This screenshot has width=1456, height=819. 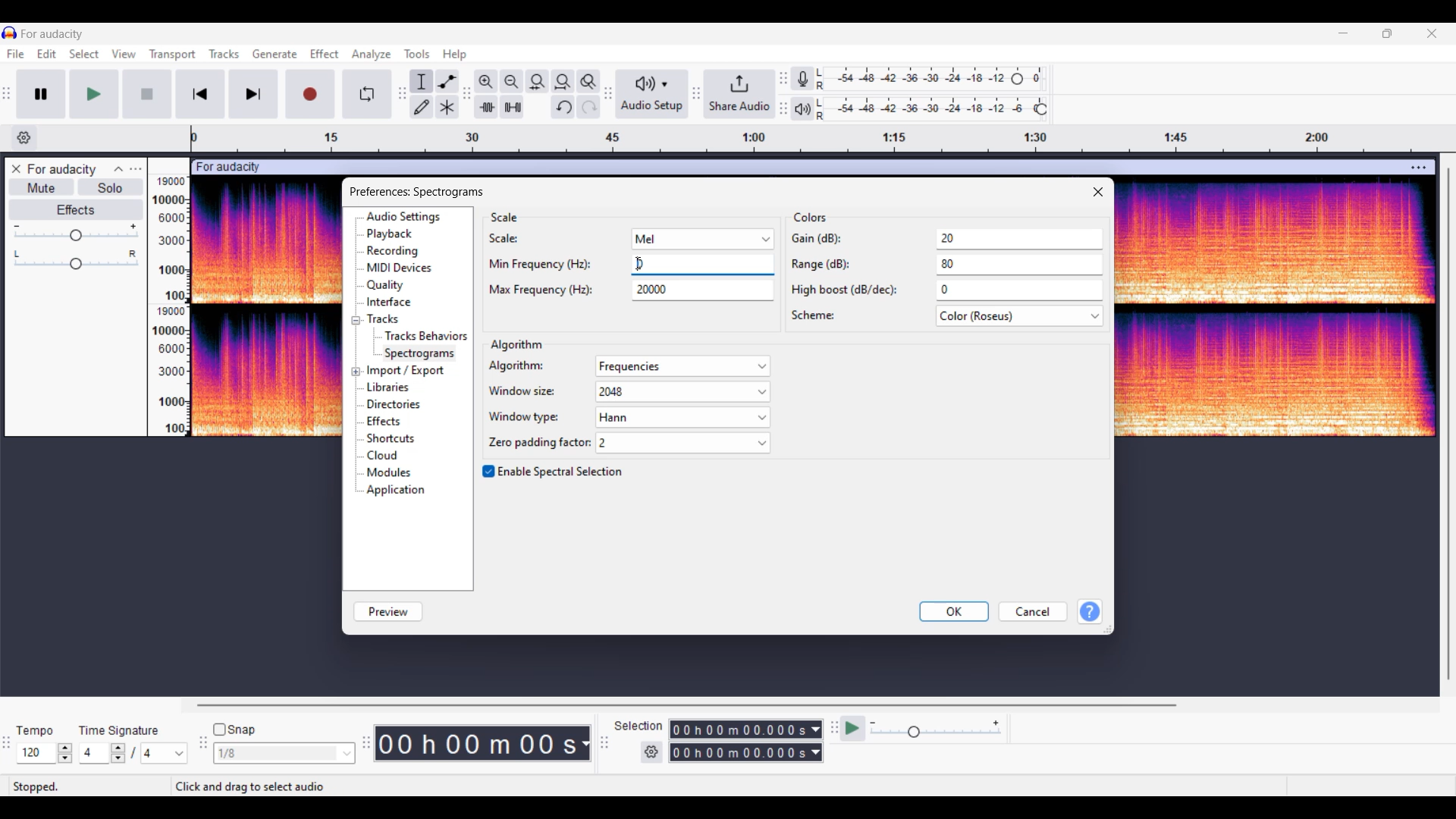 I want to click on Selection tool, so click(x=422, y=82).